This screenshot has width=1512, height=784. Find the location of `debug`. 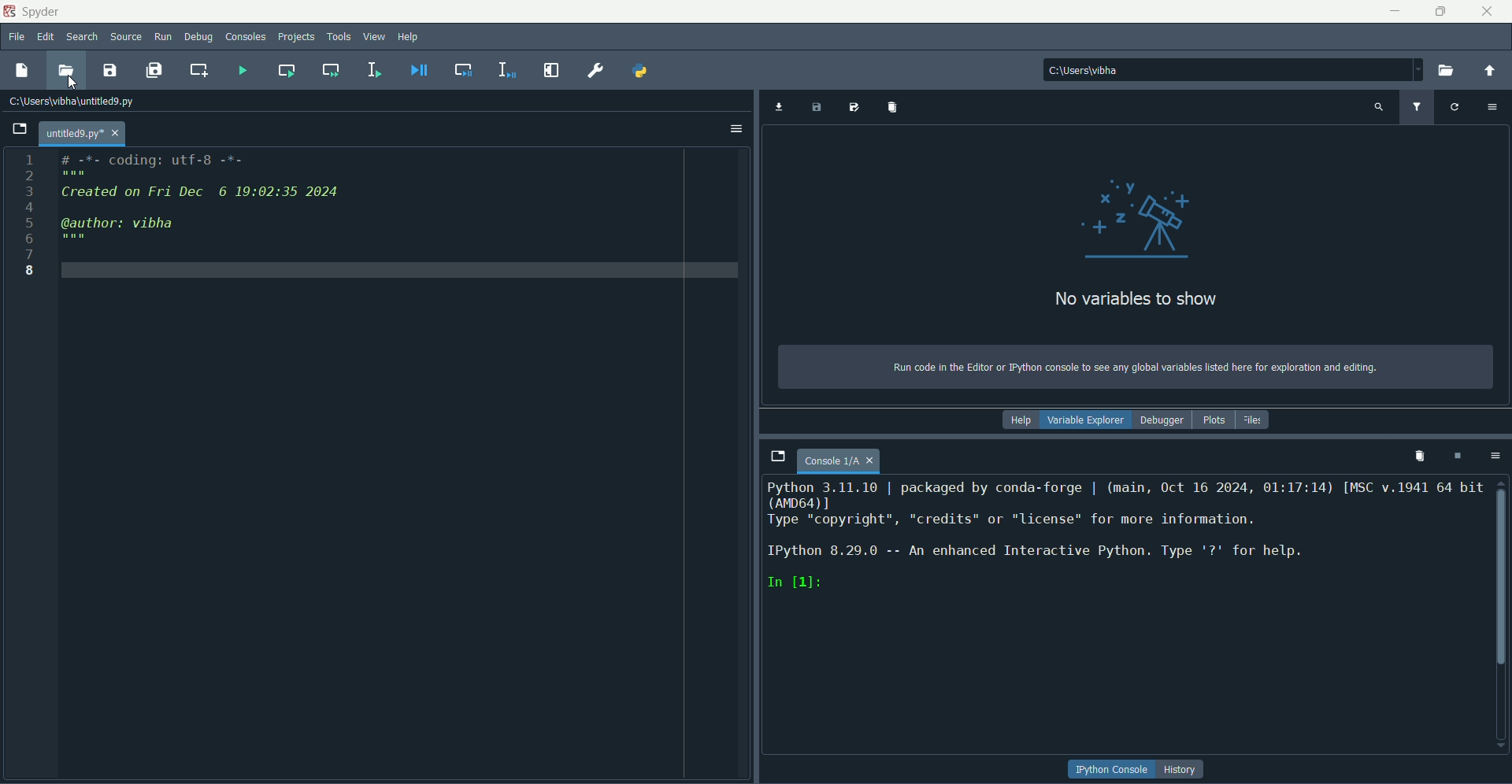

debug is located at coordinates (198, 38).